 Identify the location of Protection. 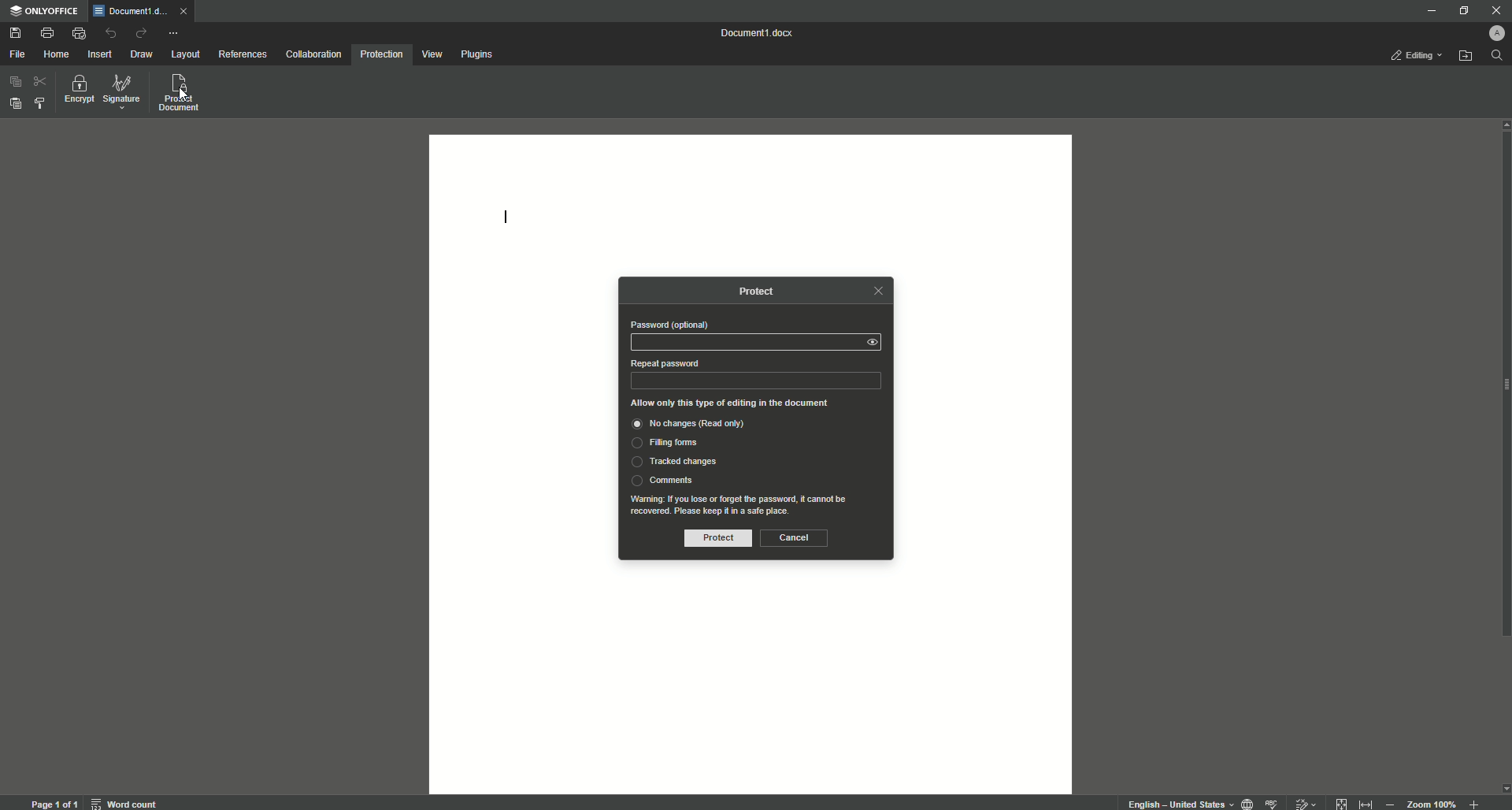
(381, 56).